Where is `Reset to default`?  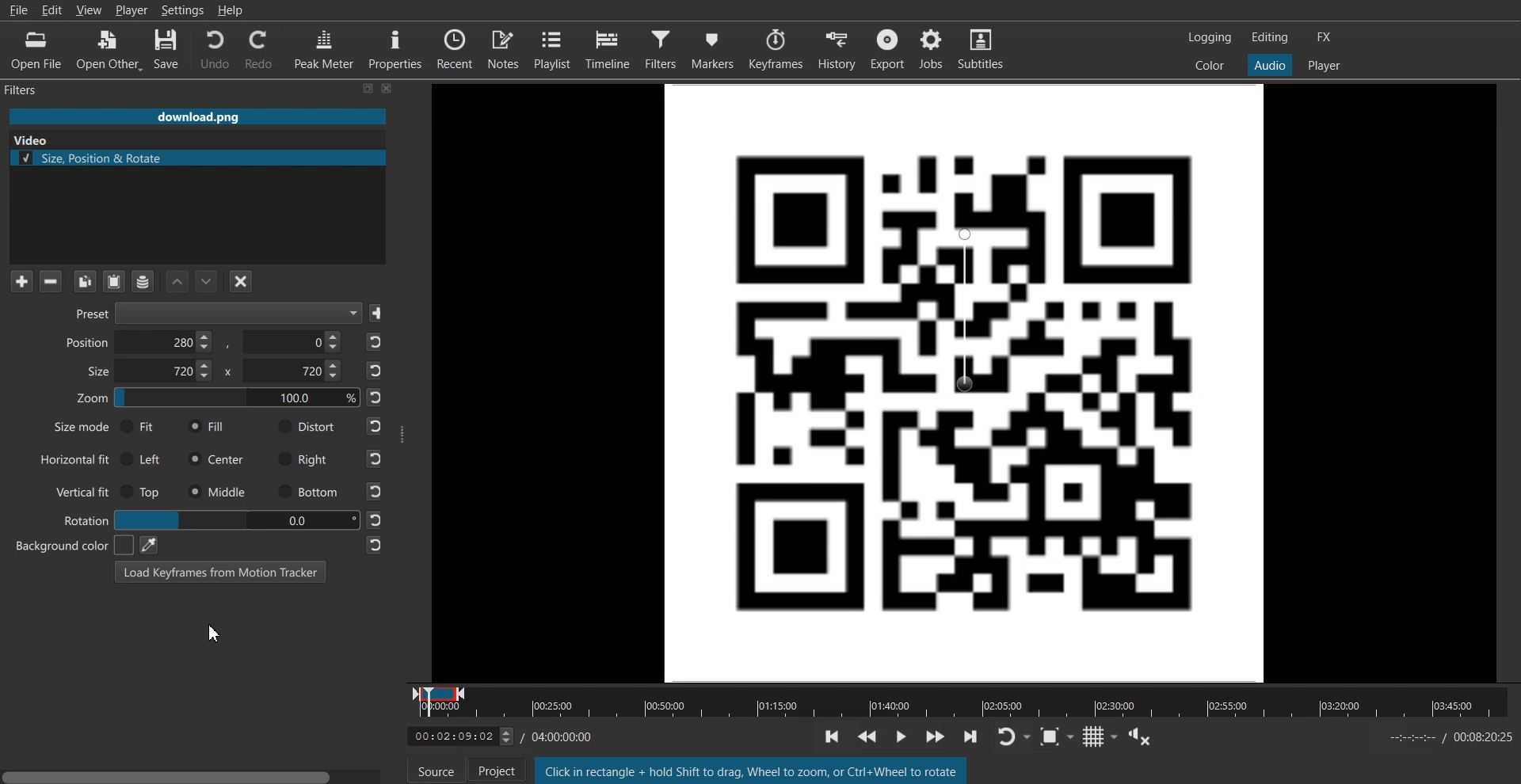 Reset to default is located at coordinates (375, 443).